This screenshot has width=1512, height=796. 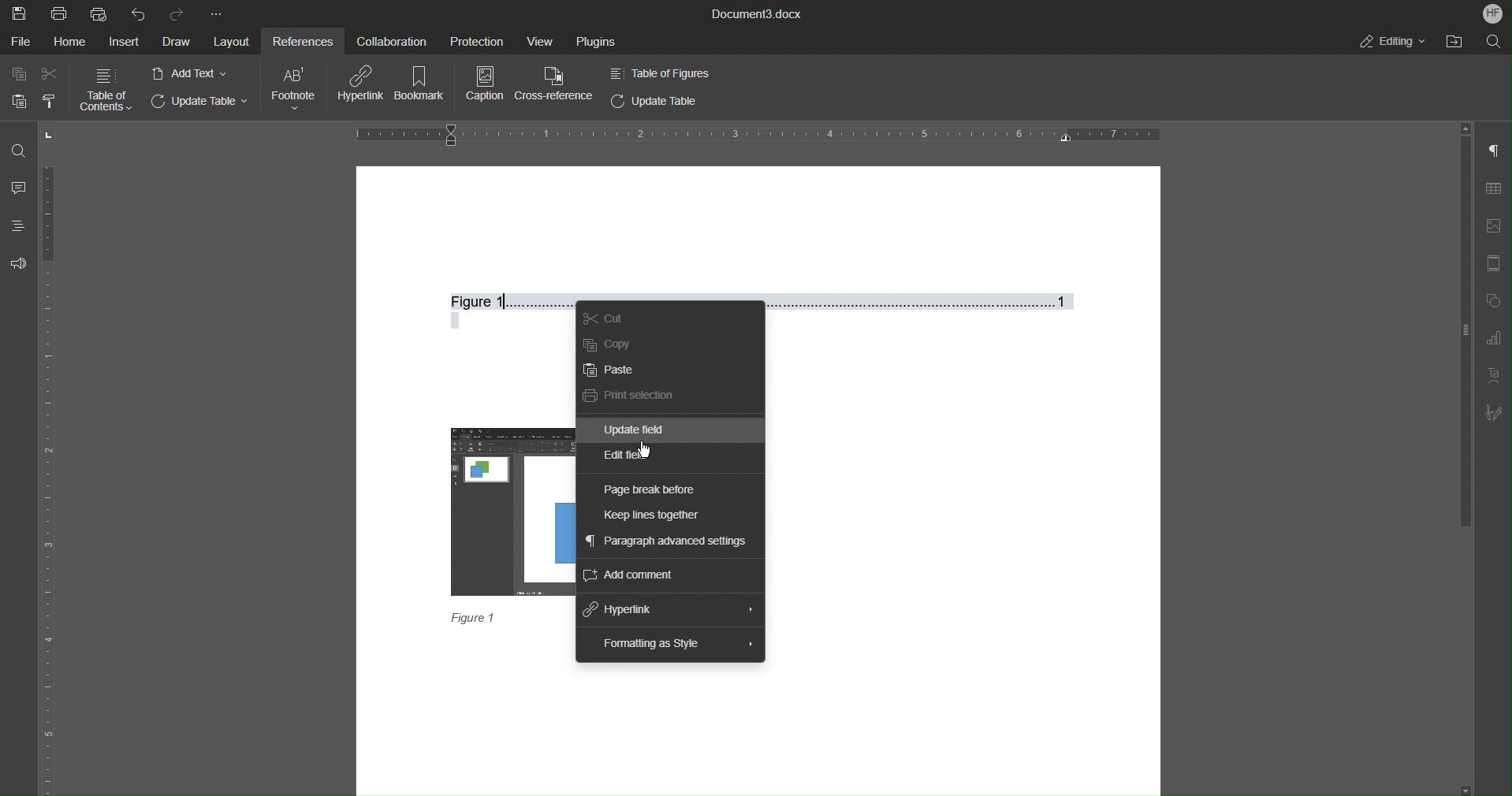 What do you see at coordinates (624, 459) in the screenshot?
I see `Edit field` at bounding box center [624, 459].